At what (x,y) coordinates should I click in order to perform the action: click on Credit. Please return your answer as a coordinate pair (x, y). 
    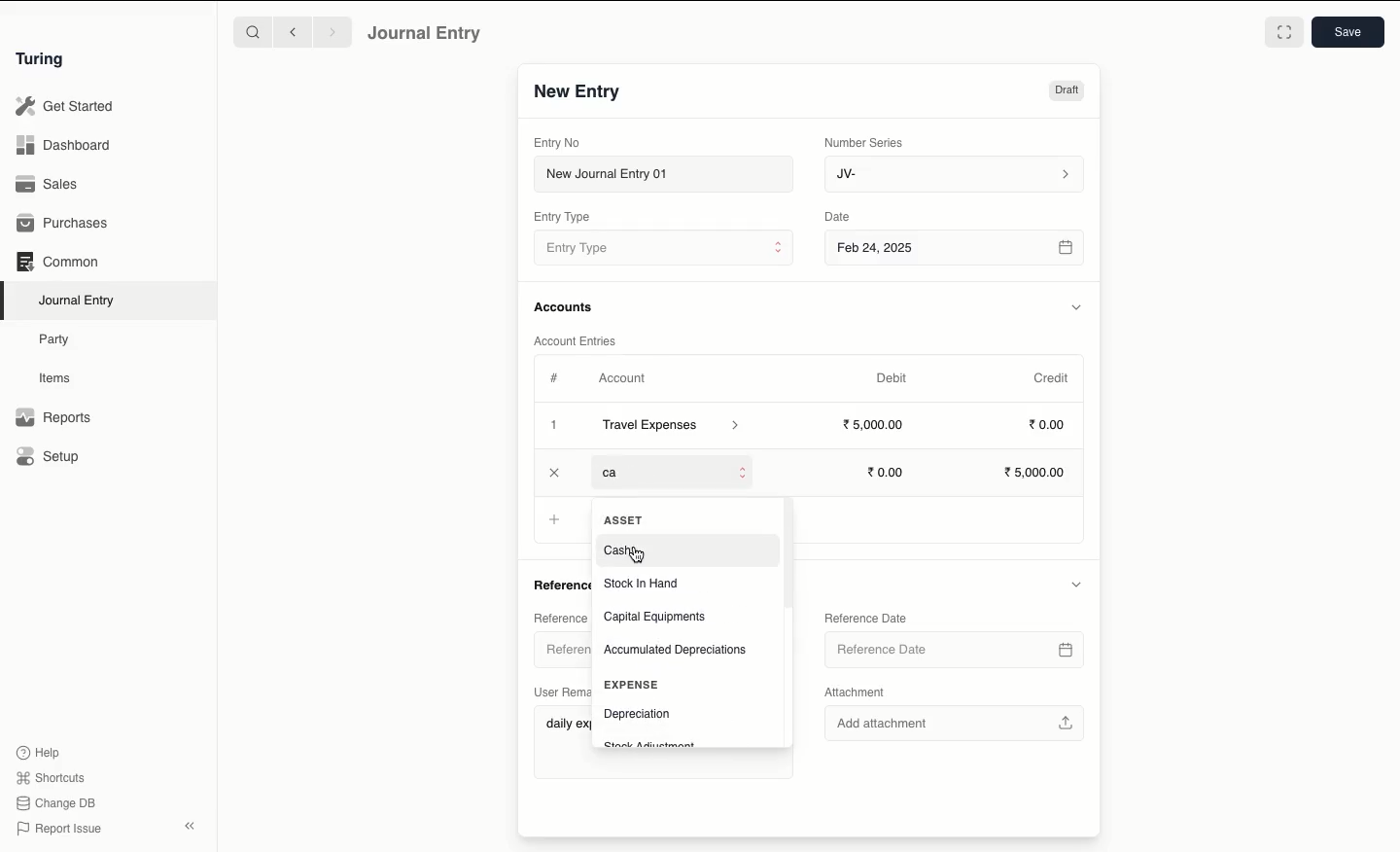
    Looking at the image, I should click on (1053, 378).